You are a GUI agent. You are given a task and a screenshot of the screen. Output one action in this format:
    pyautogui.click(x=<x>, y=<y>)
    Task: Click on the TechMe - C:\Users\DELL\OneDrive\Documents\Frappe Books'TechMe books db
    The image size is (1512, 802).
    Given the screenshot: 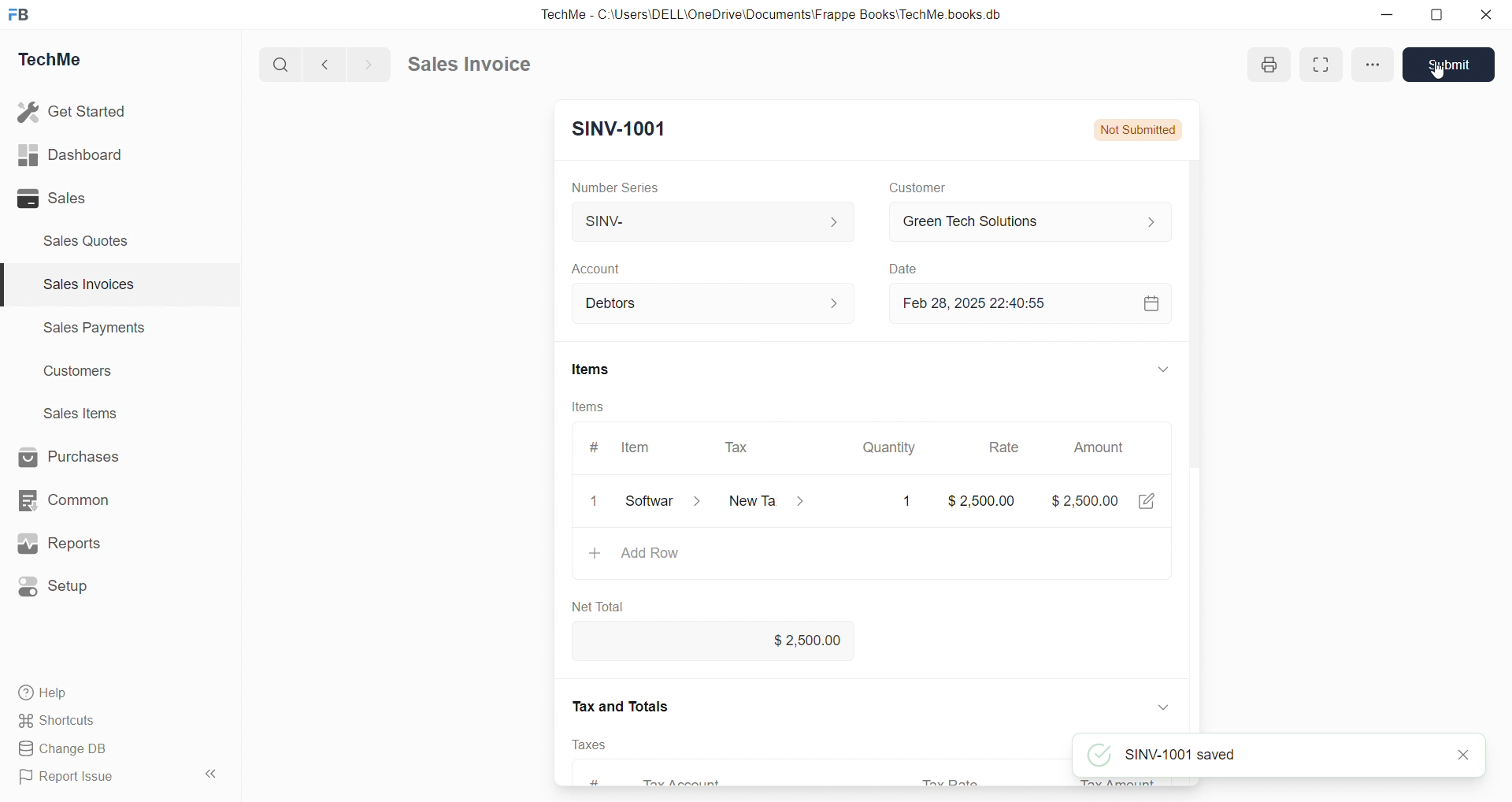 What is the action you would take?
    pyautogui.click(x=775, y=14)
    